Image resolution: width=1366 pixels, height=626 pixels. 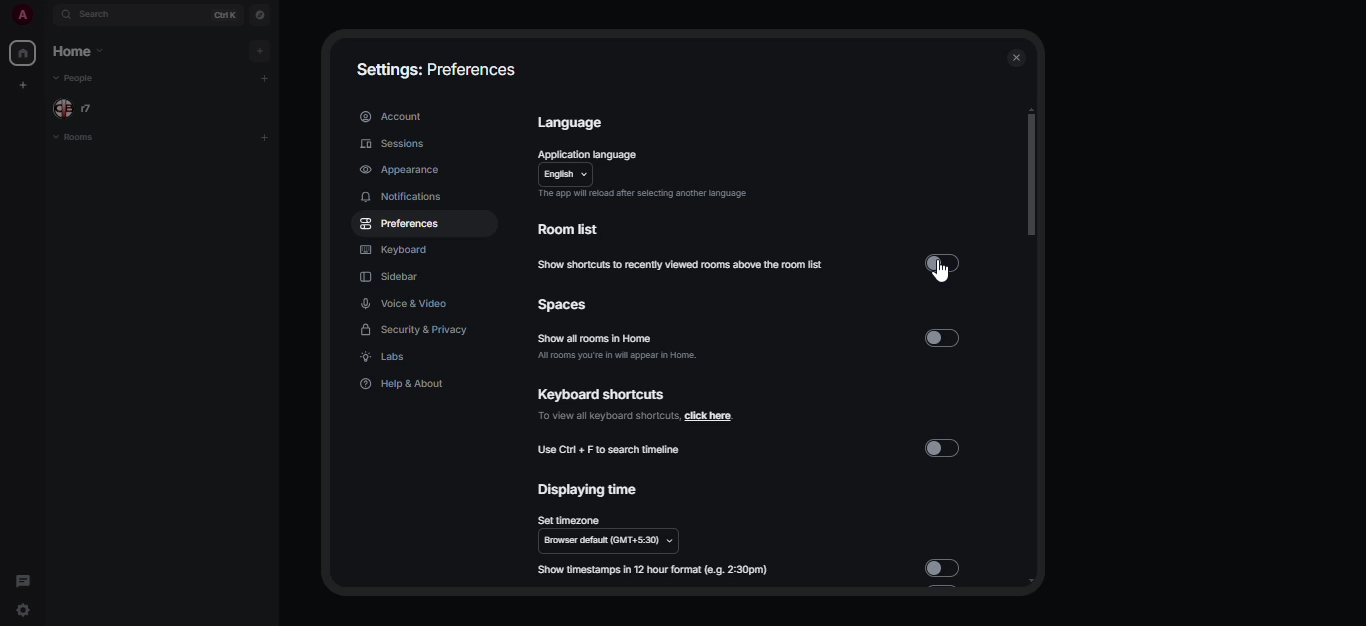 I want to click on use ctrl+F to search timeline, so click(x=612, y=448).